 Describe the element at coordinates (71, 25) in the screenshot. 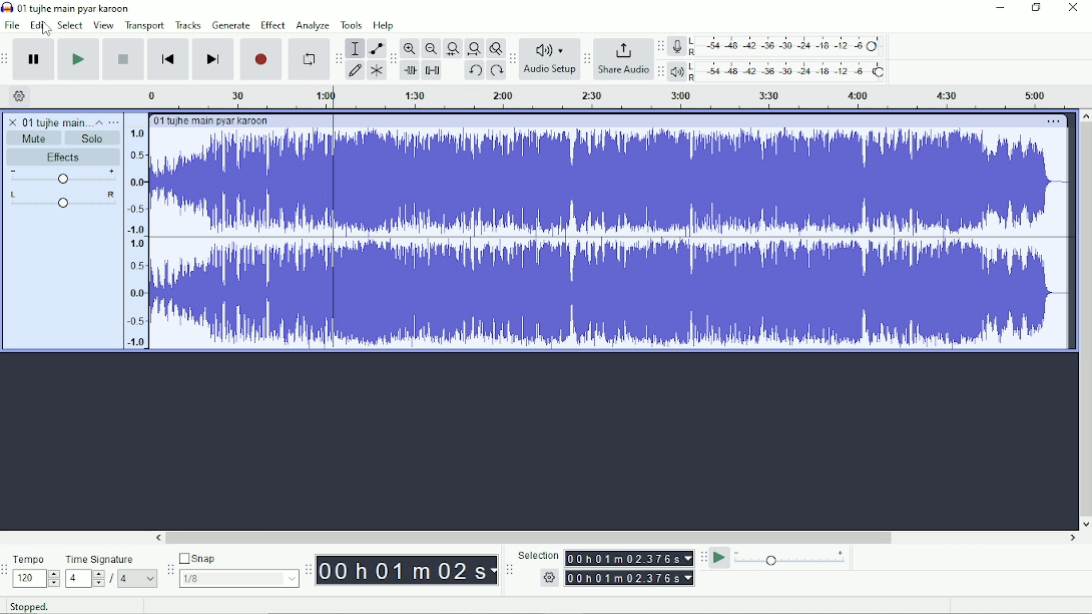

I see `Select` at that location.